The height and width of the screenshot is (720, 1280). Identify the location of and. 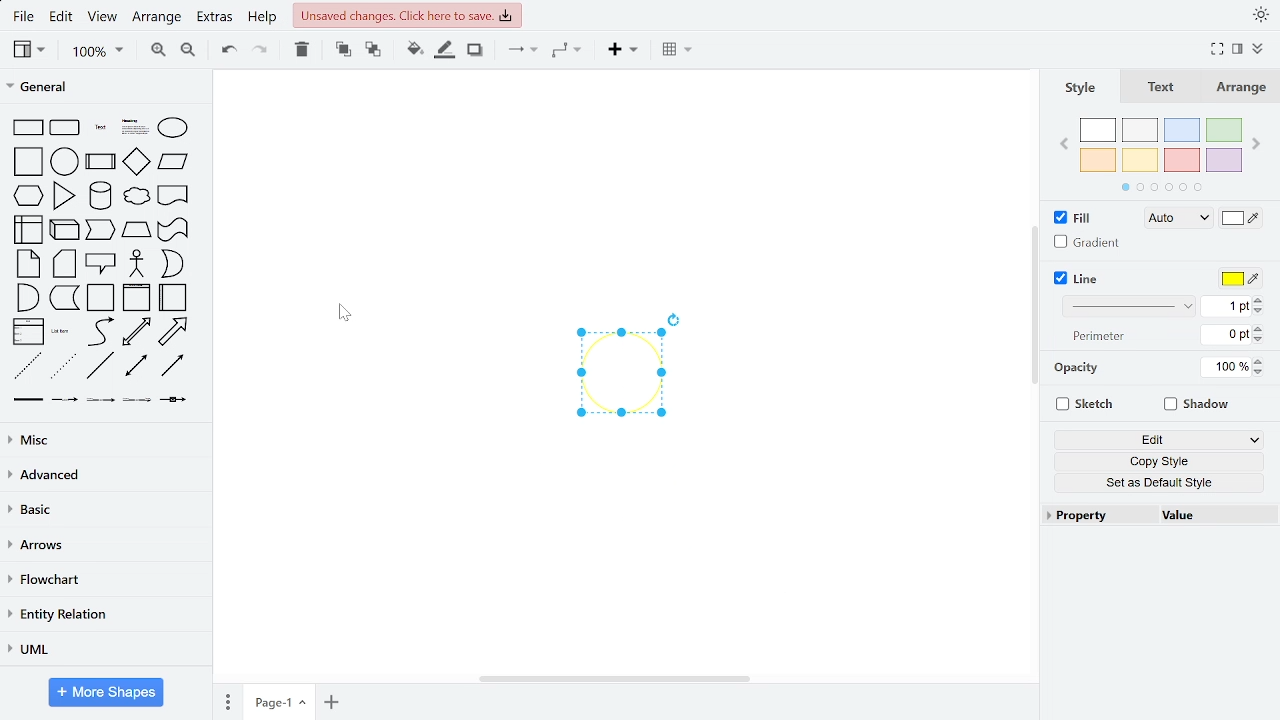
(27, 297).